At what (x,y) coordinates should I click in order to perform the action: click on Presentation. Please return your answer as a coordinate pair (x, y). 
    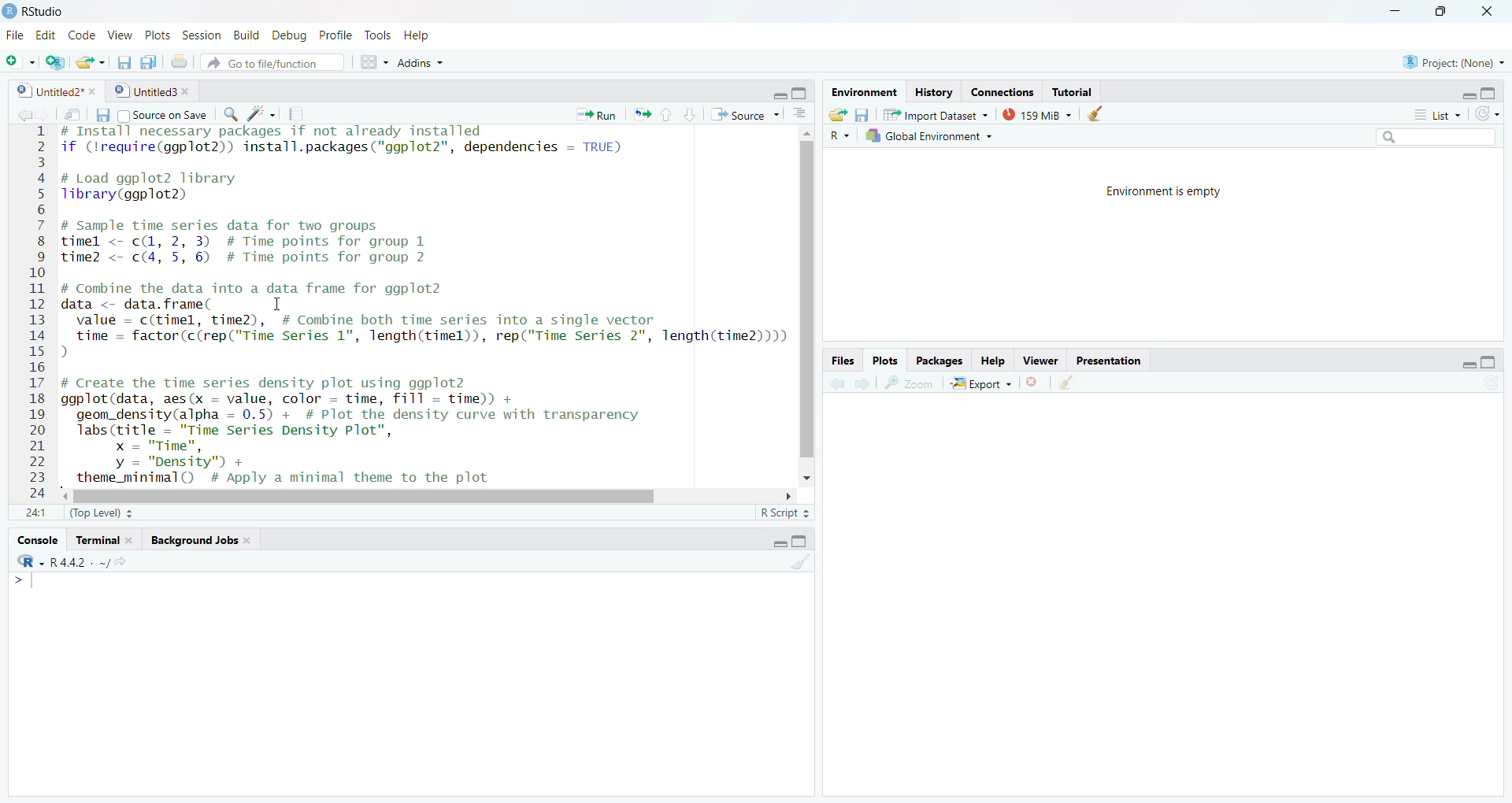
    Looking at the image, I should click on (1106, 361).